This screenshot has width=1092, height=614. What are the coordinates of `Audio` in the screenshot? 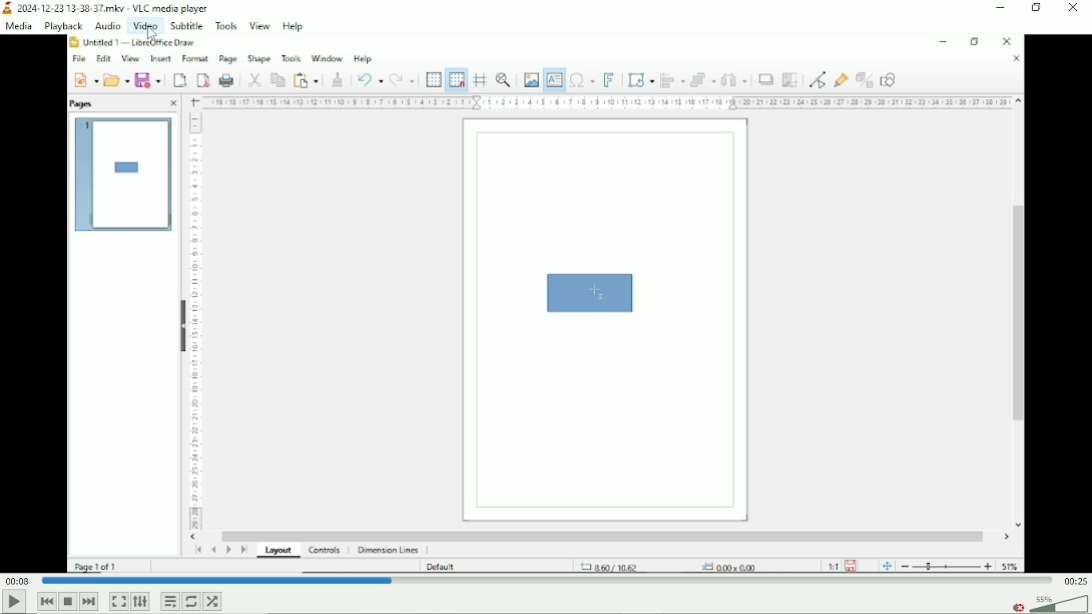 It's located at (108, 26).